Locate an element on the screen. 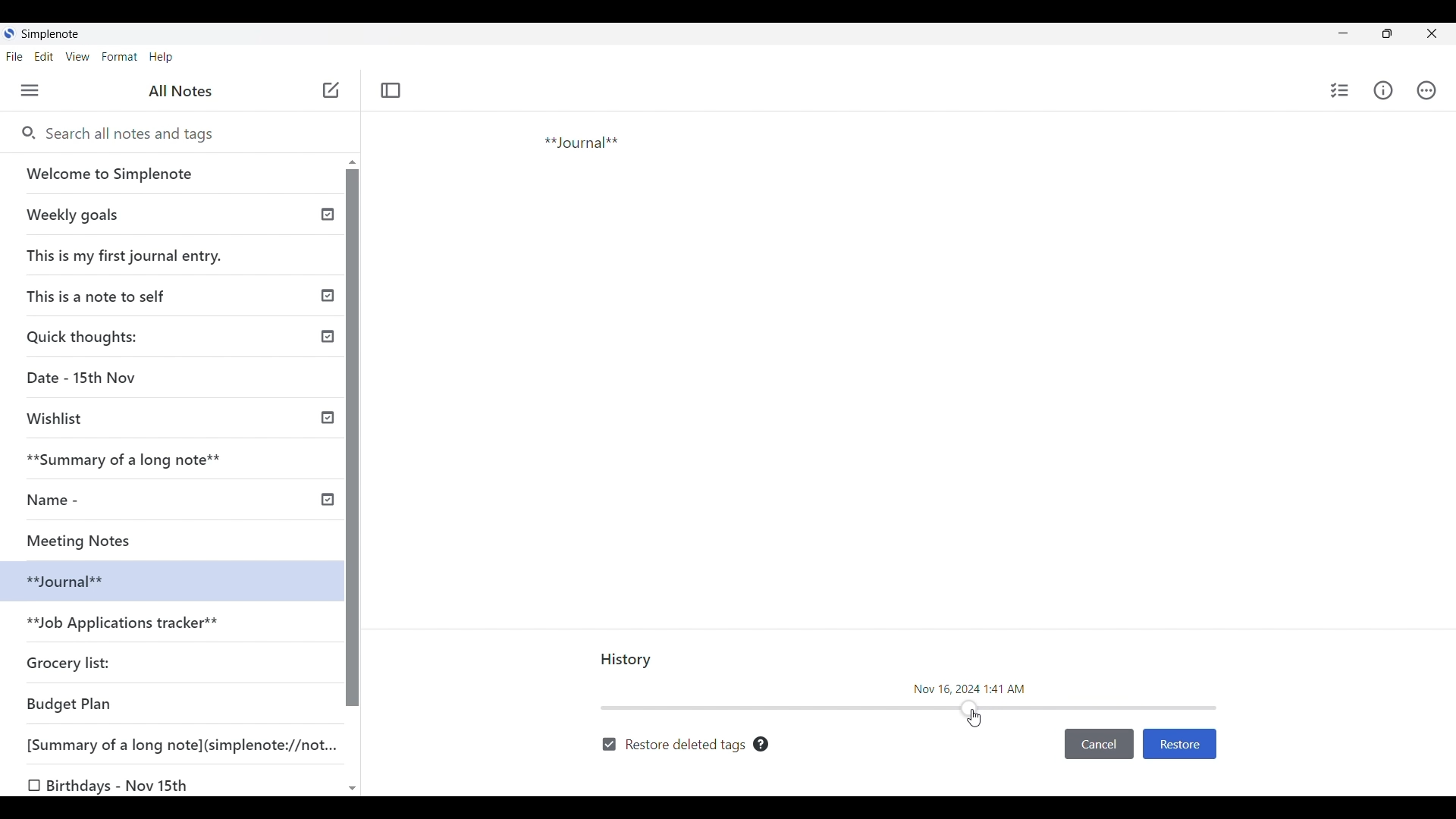 The height and width of the screenshot is (819, 1456). Insert checklist is located at coordinates (1341, 90).